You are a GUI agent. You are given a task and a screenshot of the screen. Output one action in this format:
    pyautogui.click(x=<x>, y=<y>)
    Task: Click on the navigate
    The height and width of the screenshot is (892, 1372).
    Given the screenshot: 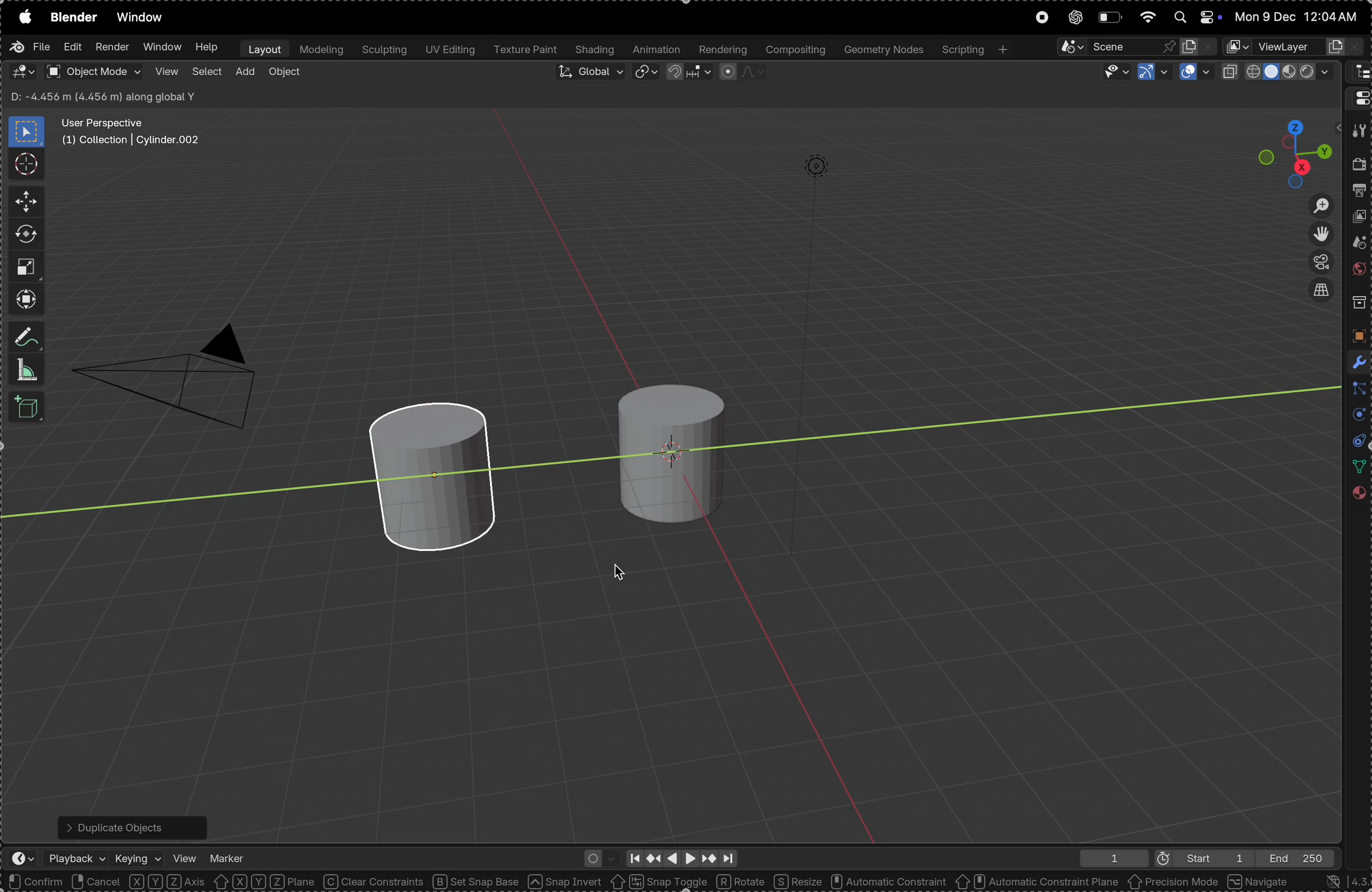 What is the action you would take?
    pyautogui.click(x=1260, y=881)
    